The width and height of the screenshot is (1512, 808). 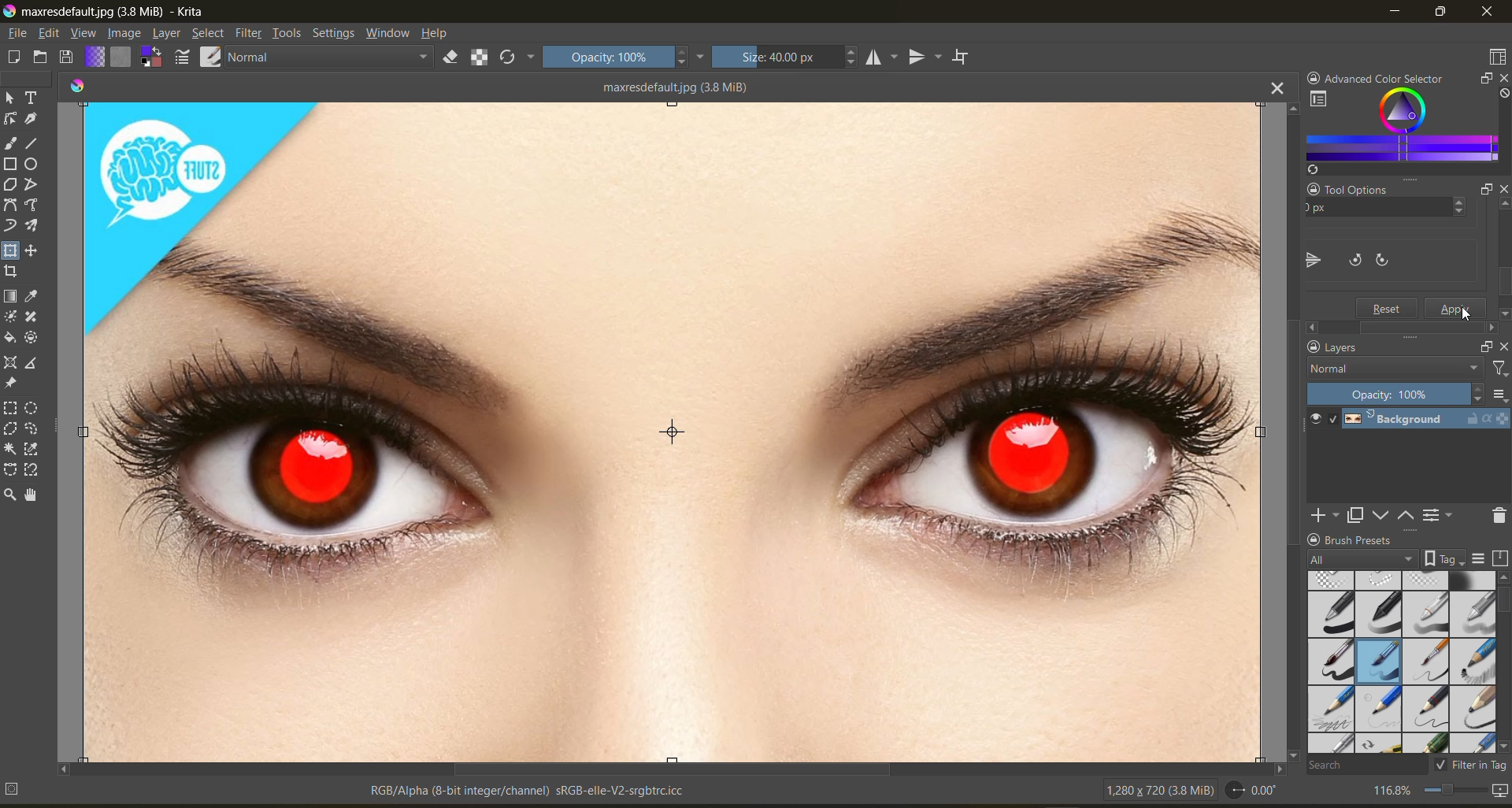 I want to click on close, so click(x=1487, y=13).